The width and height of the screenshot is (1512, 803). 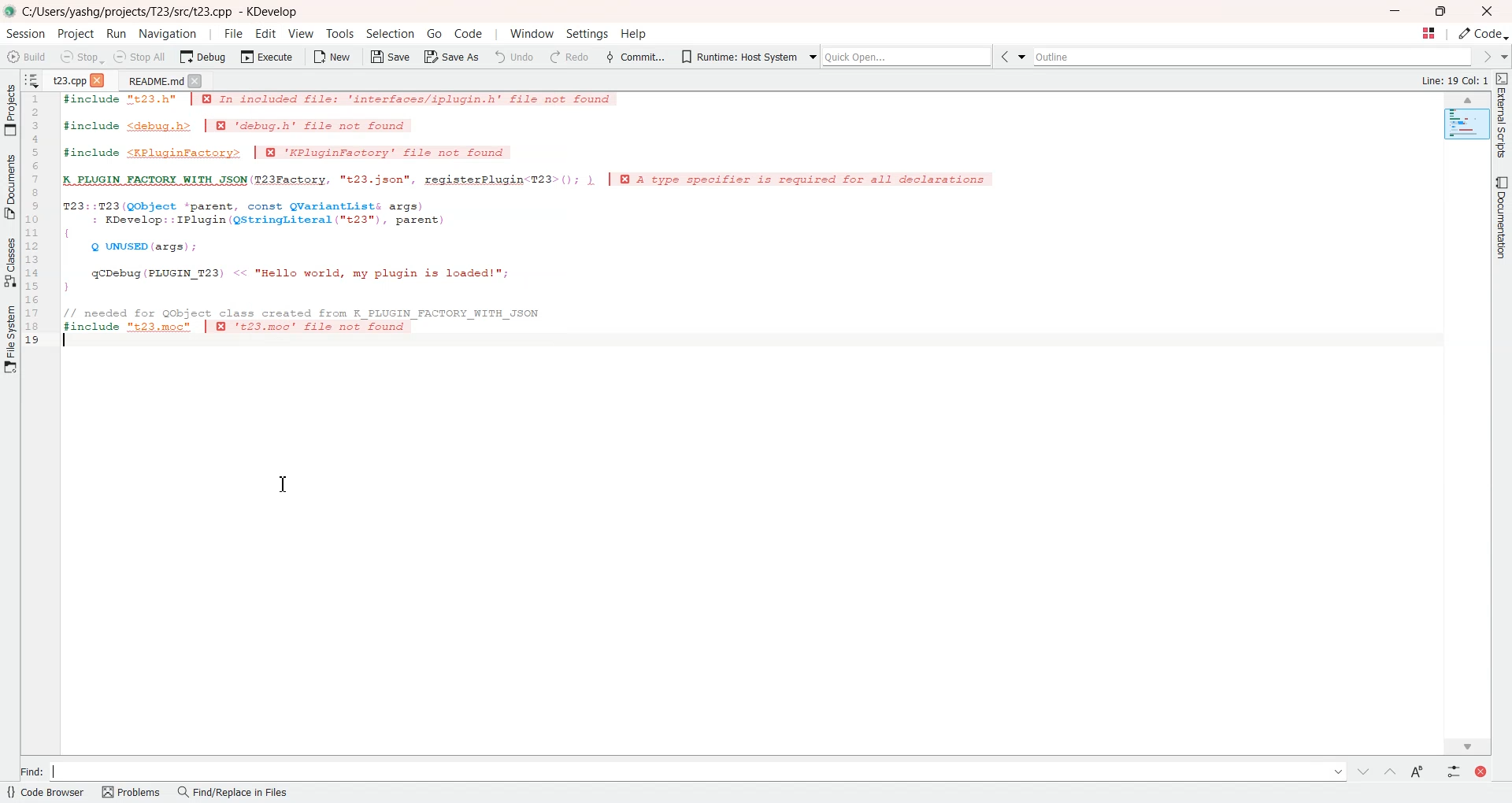 I want to click on Documents, so click(x=10, y=187).